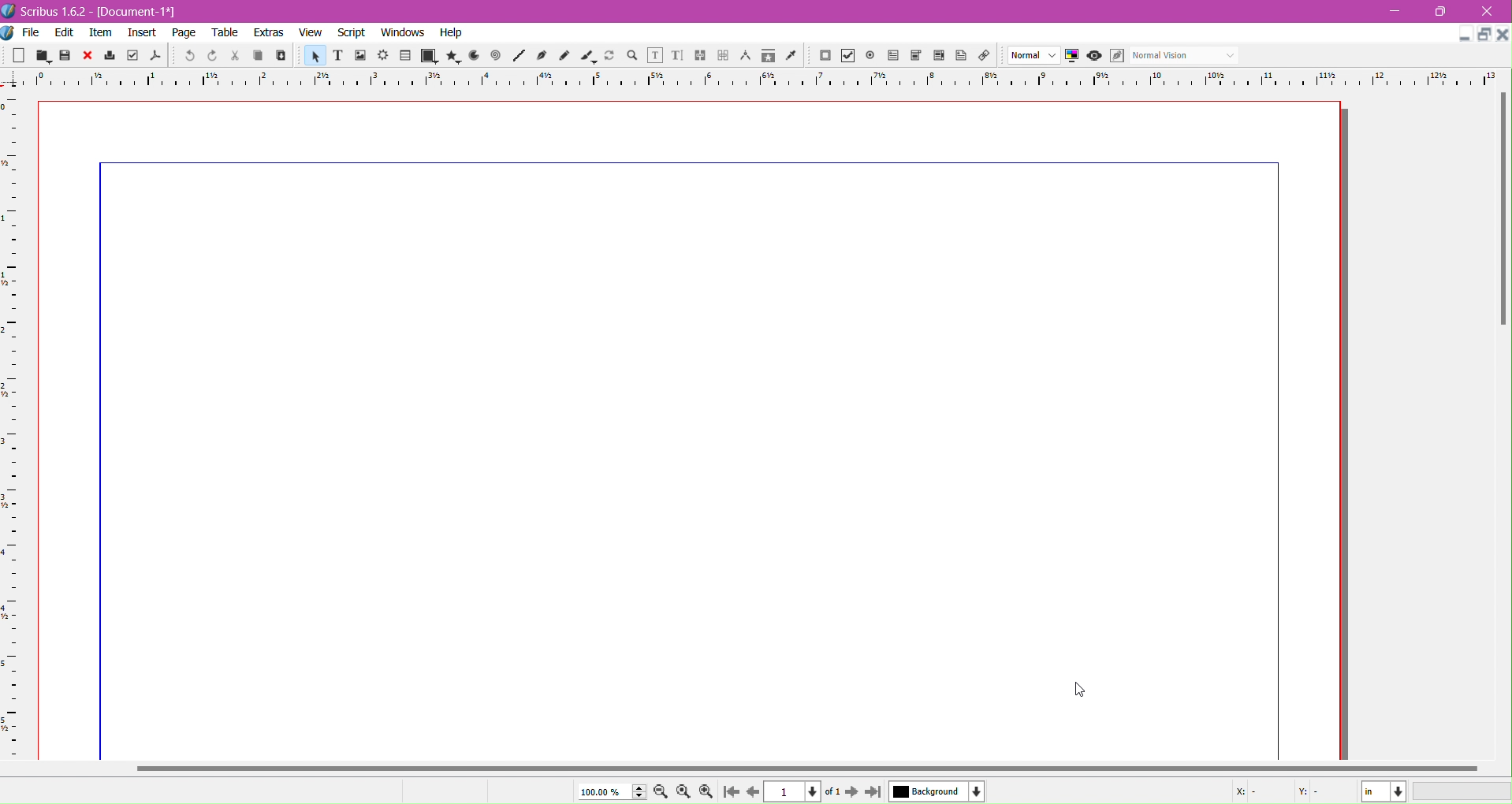 The height and width of the screenshot is (804, 1512). Describe the element at coordinates (102, 34) in the screenshot. I see `item menu` at that location.